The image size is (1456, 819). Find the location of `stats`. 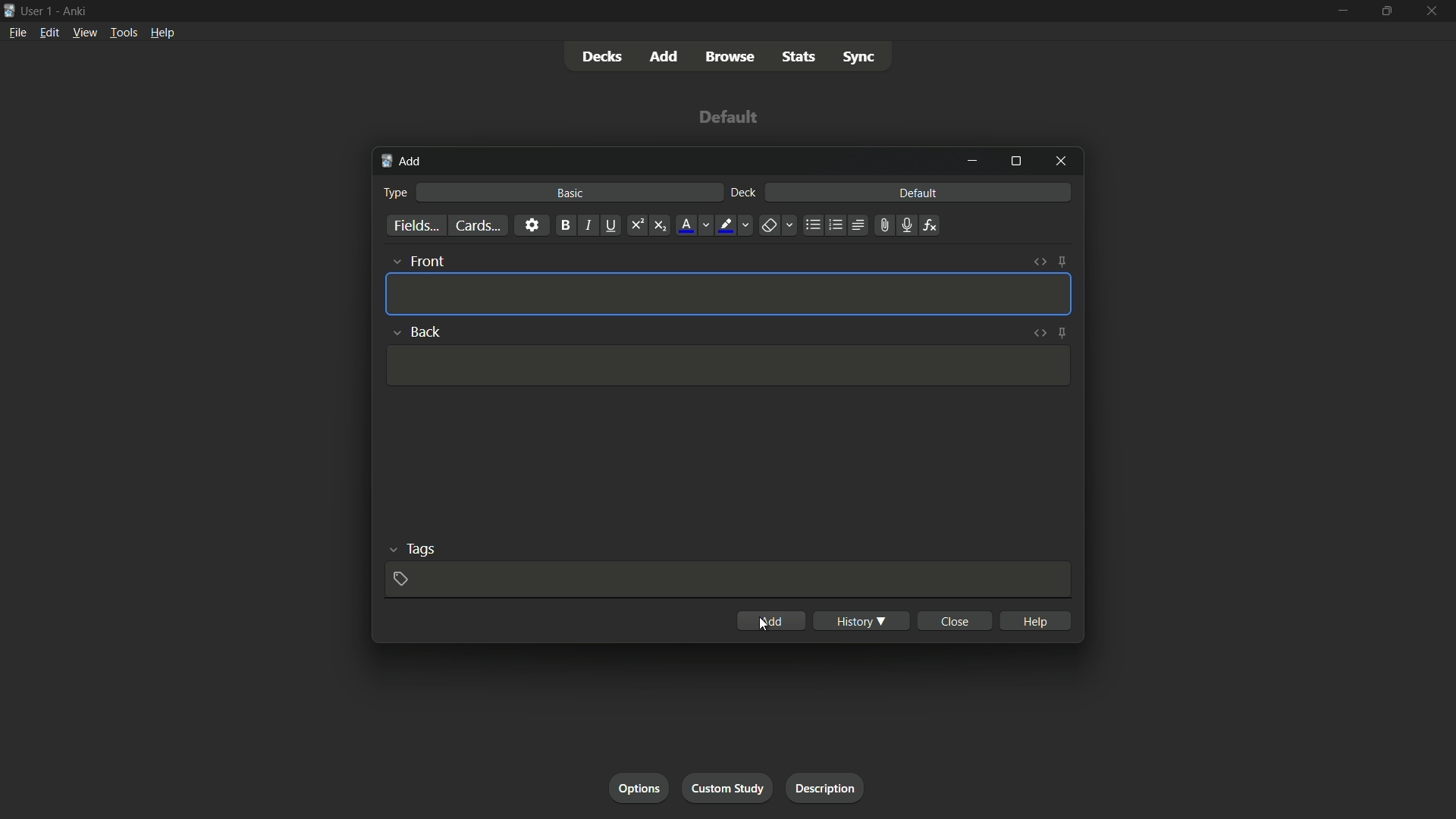

stats is located at coordinates (799, 58).